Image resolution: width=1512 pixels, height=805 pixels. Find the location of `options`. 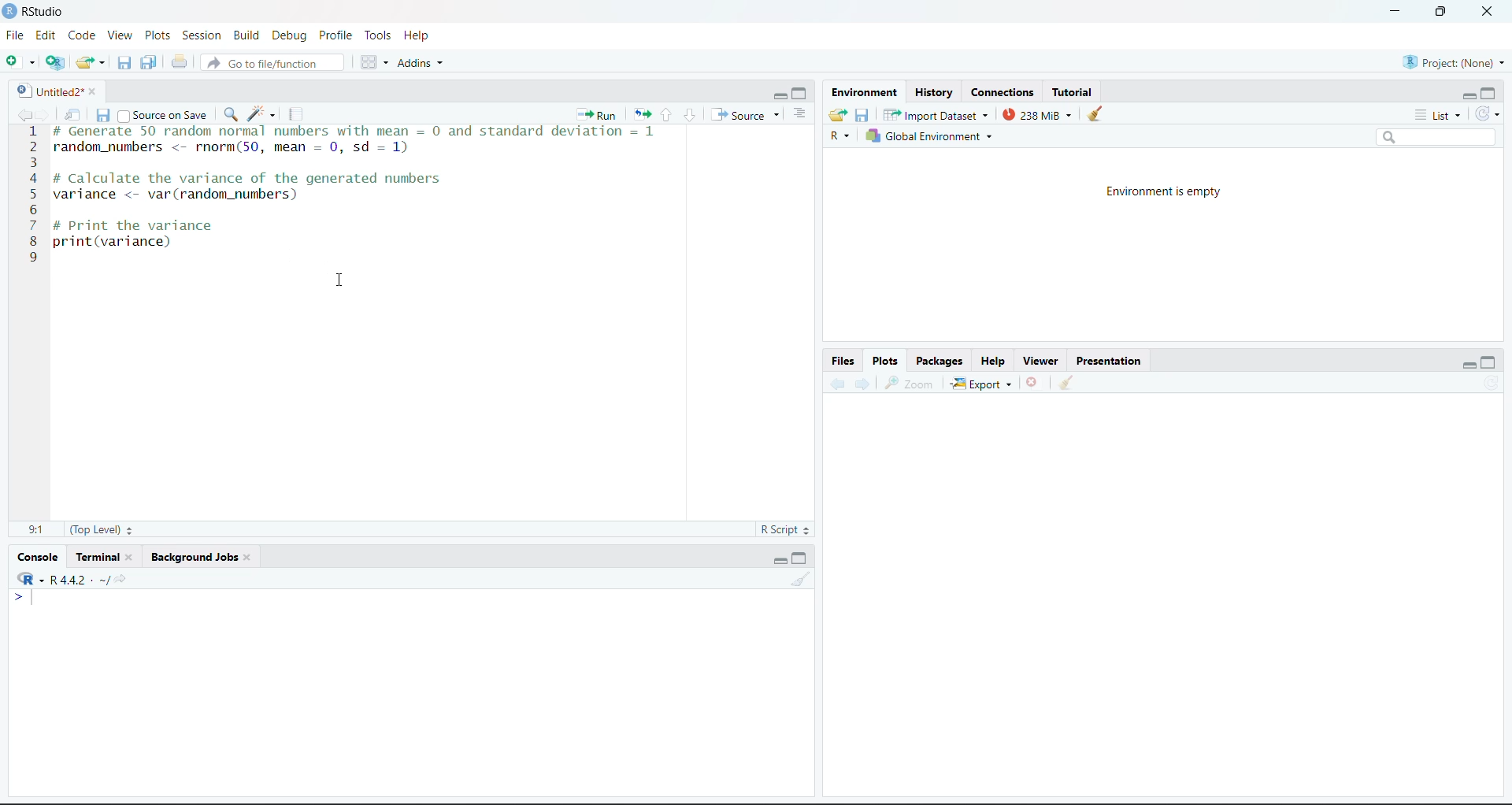

options is located at coordinates (375, 62).